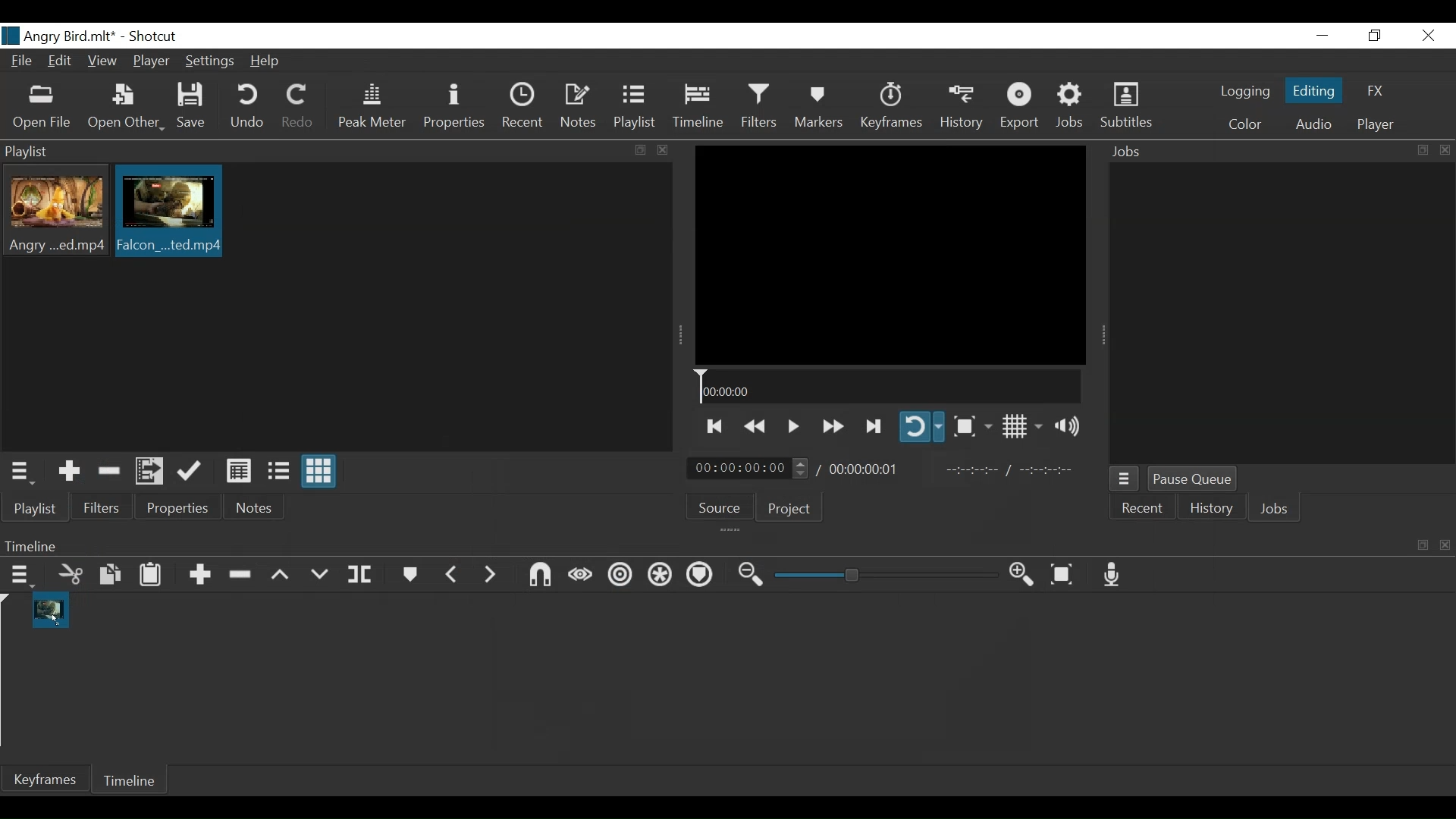 The width and height of the screenshot is (1456, 819). What do you see at coordinates (42, 108) in the screenshot?
I see `Open File` at bounding box center [42, 108].